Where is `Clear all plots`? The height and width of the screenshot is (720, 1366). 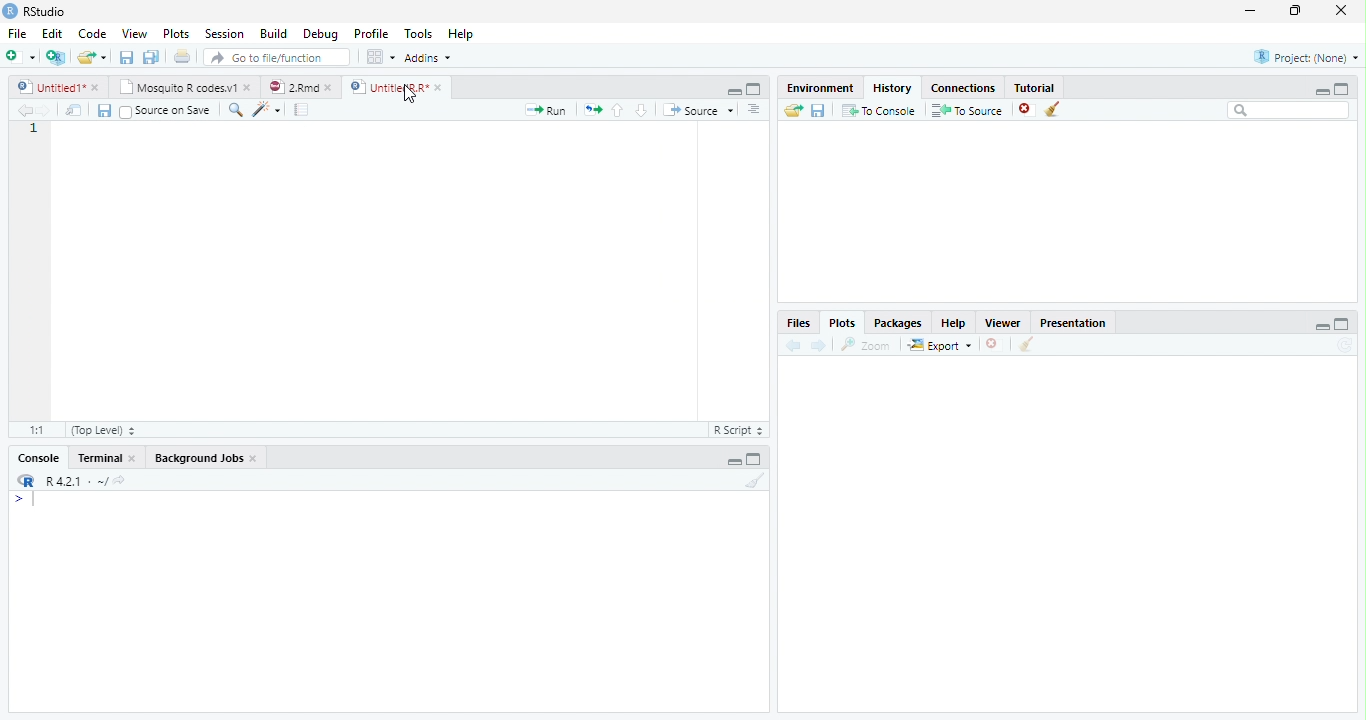 Clear all plots is located at coordinates (1027, 344).